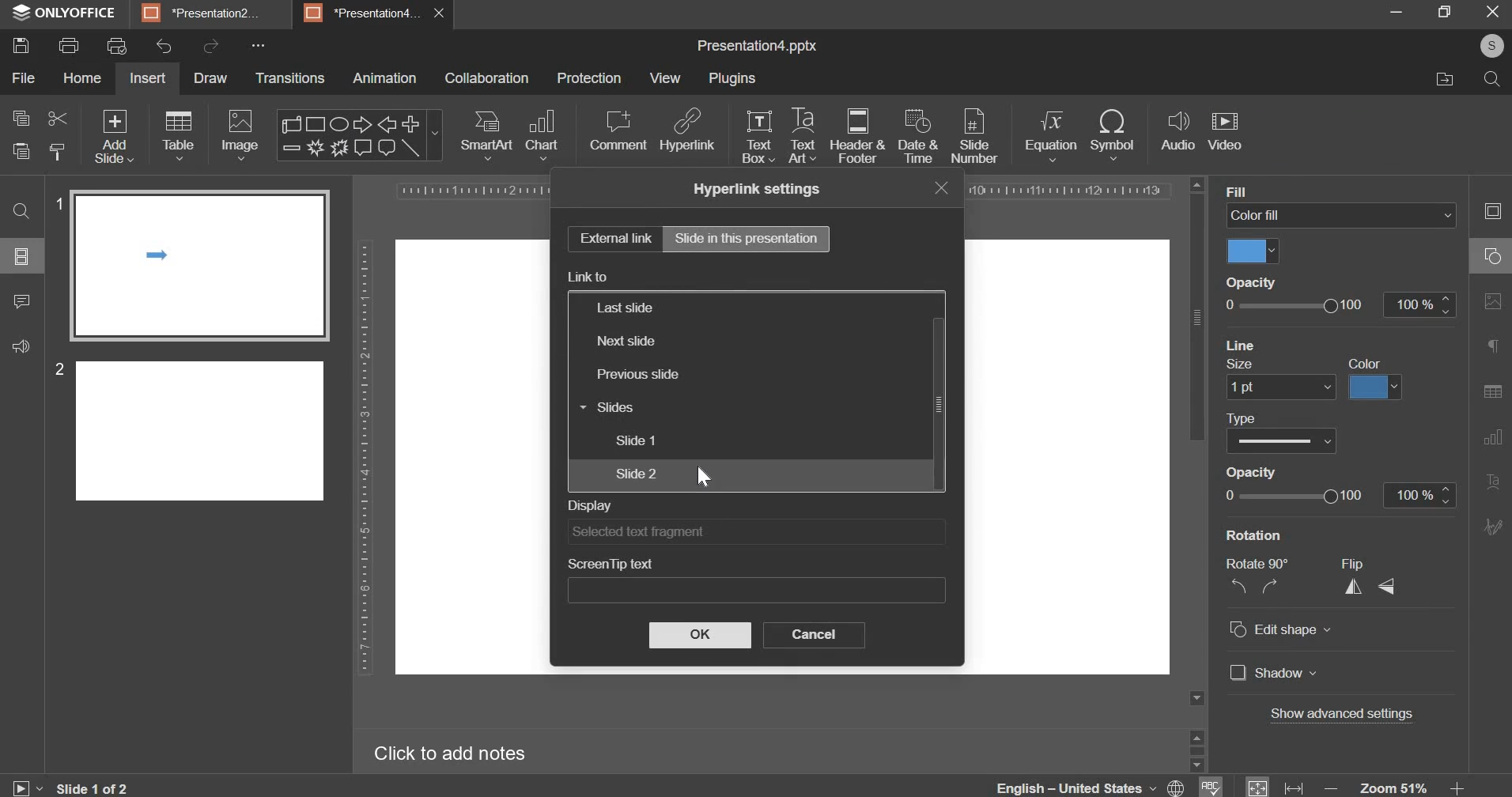 The width and height of the screenshot is (1512, 797). I want to click on minimise, so click(1384, 12).